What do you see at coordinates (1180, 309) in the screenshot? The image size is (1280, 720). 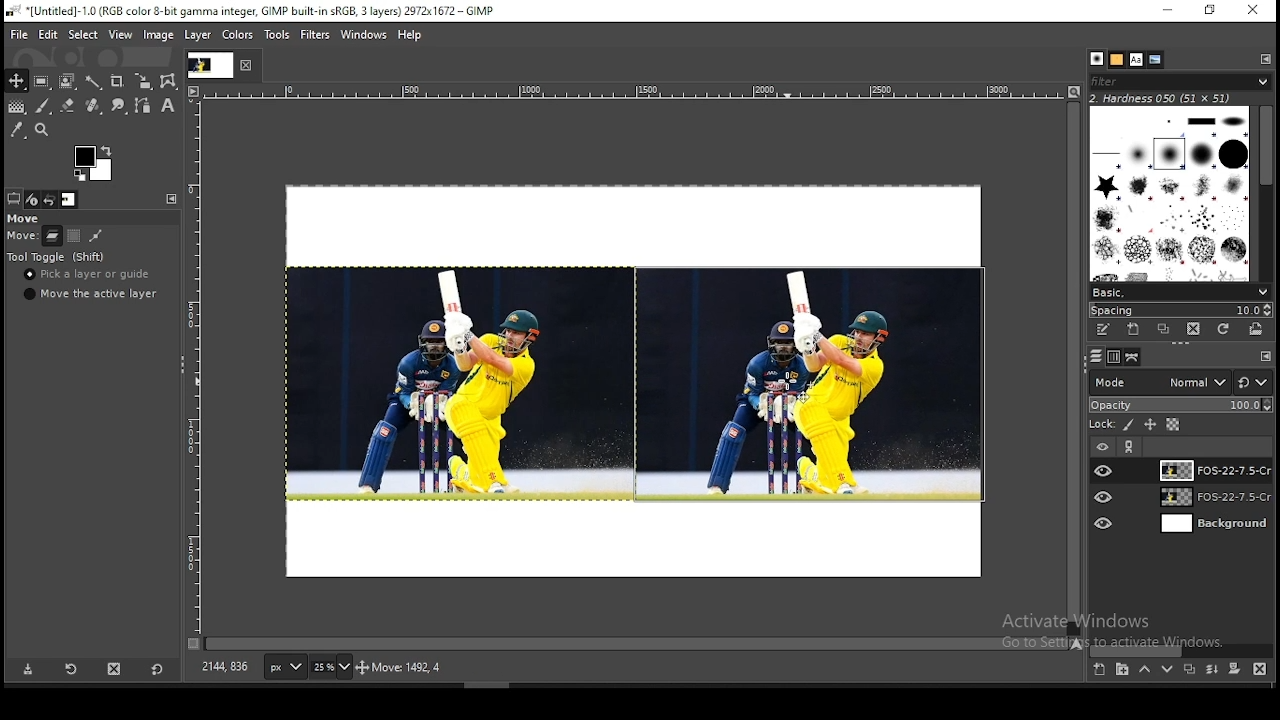 I see `spacing` at bounding box center [1180, 309].